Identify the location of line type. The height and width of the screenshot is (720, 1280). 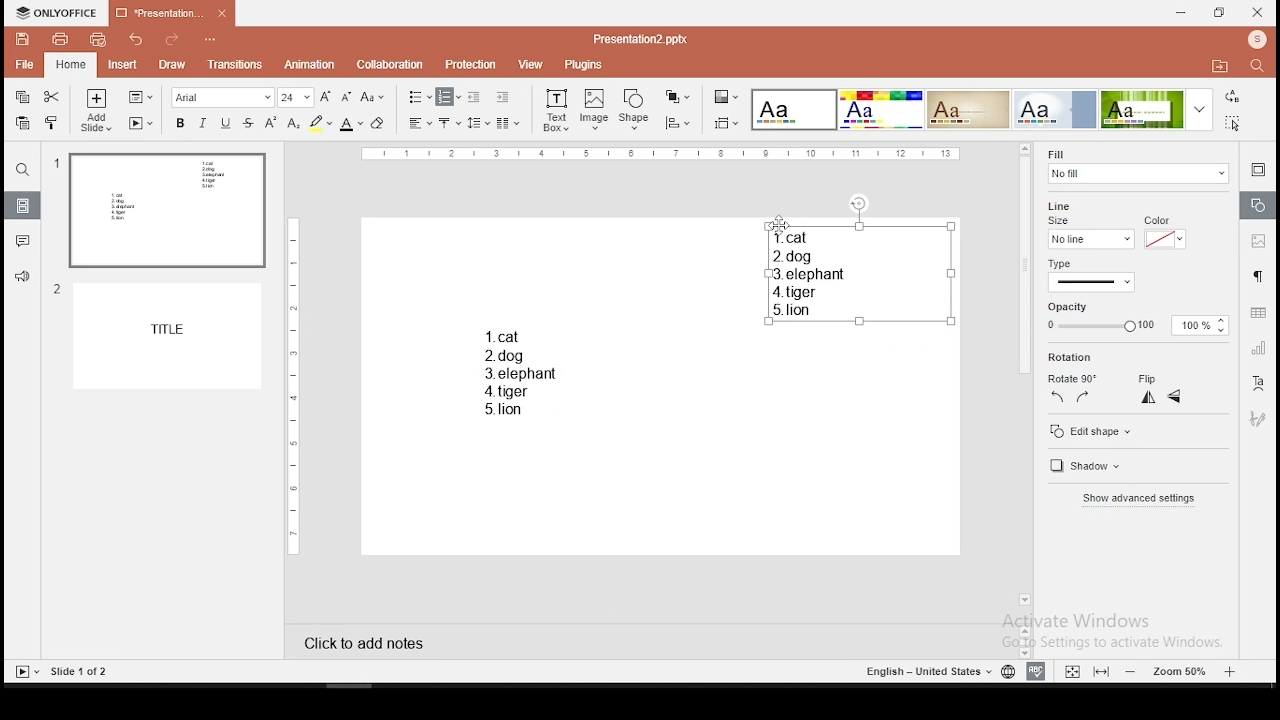
(1092, 282).